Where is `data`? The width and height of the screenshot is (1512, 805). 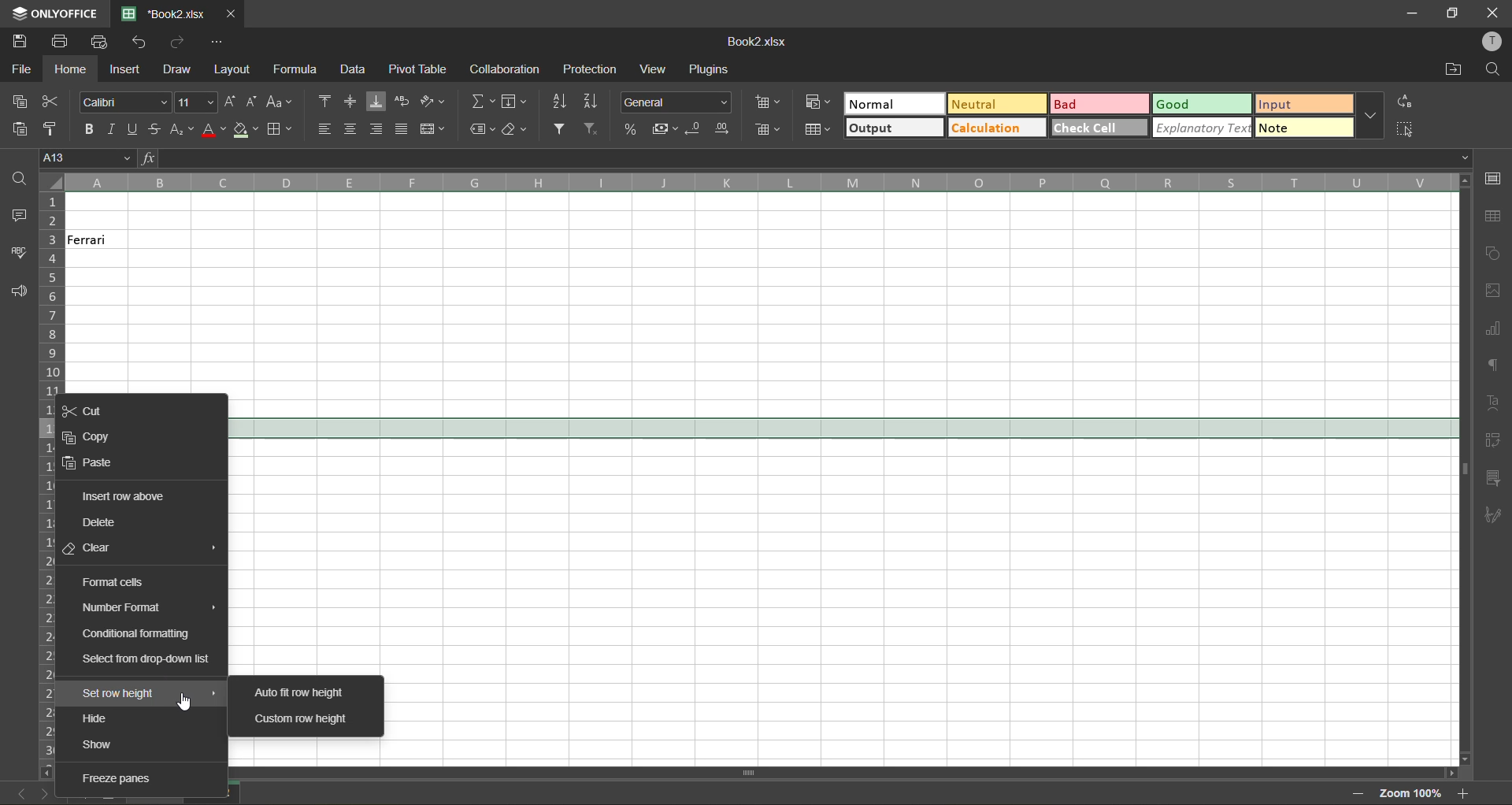 data is located at coordinates (350, 70).